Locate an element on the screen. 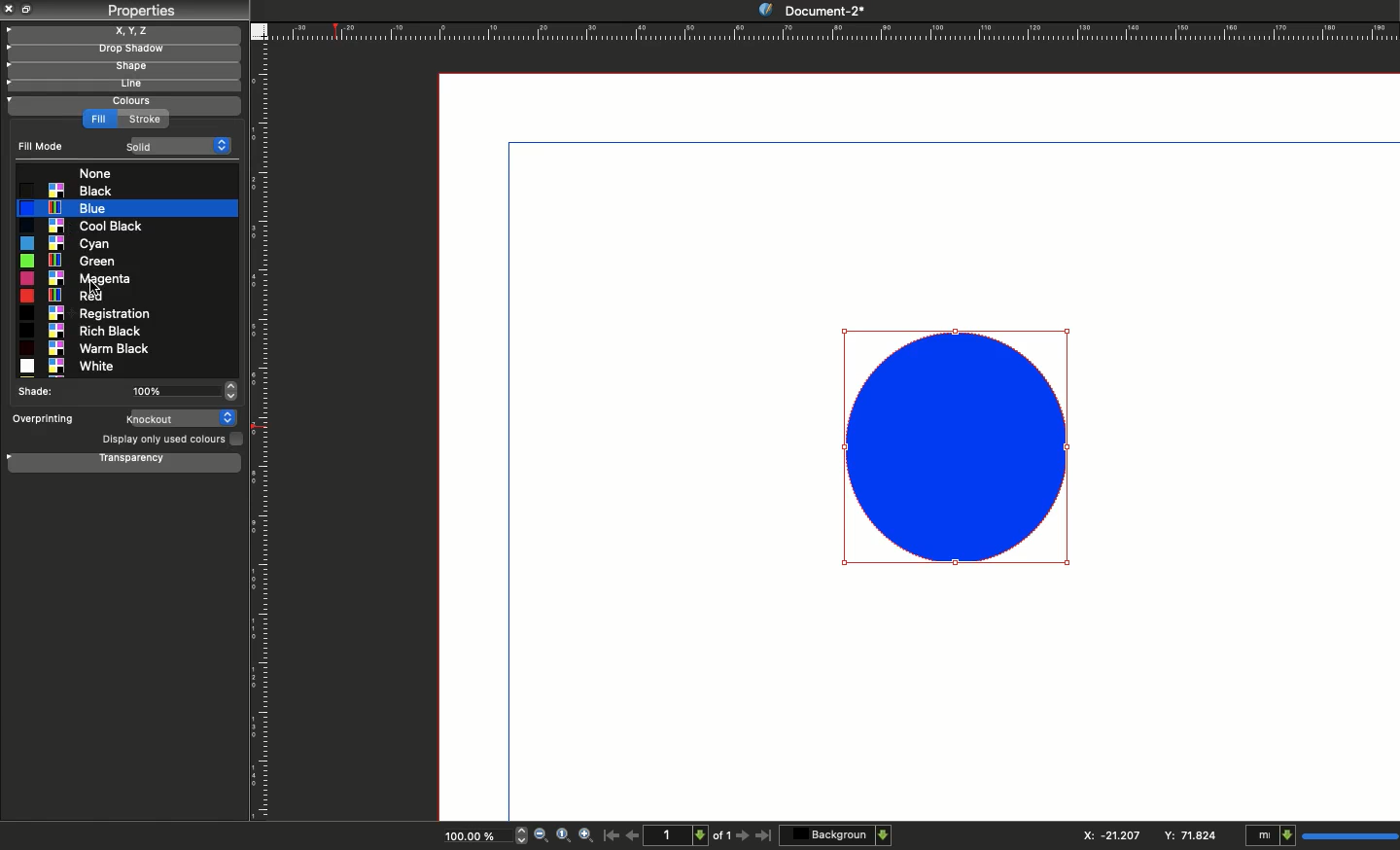  Zoom in is located at coordinates (587, 836).